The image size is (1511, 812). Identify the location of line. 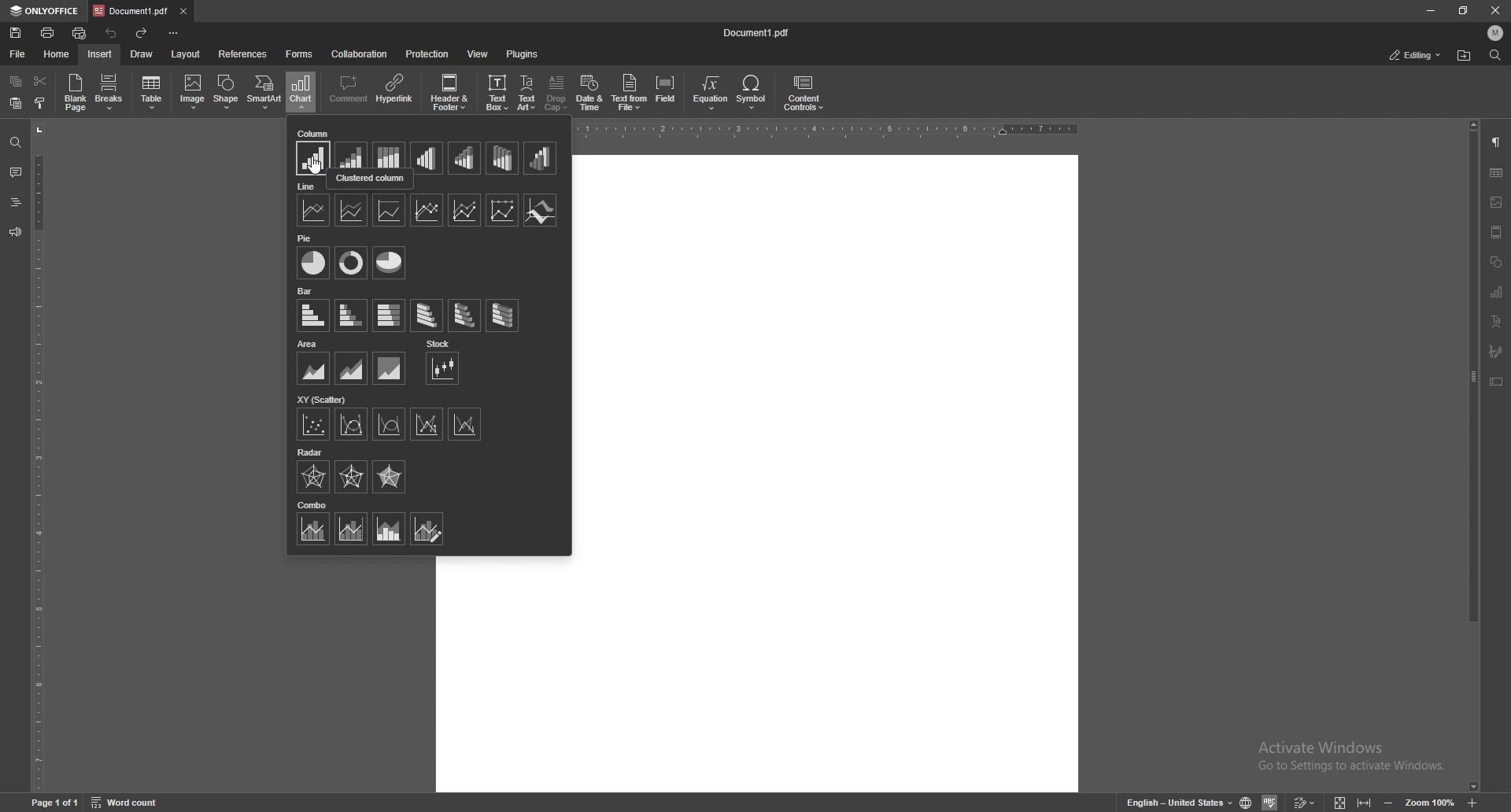
(314, 211).